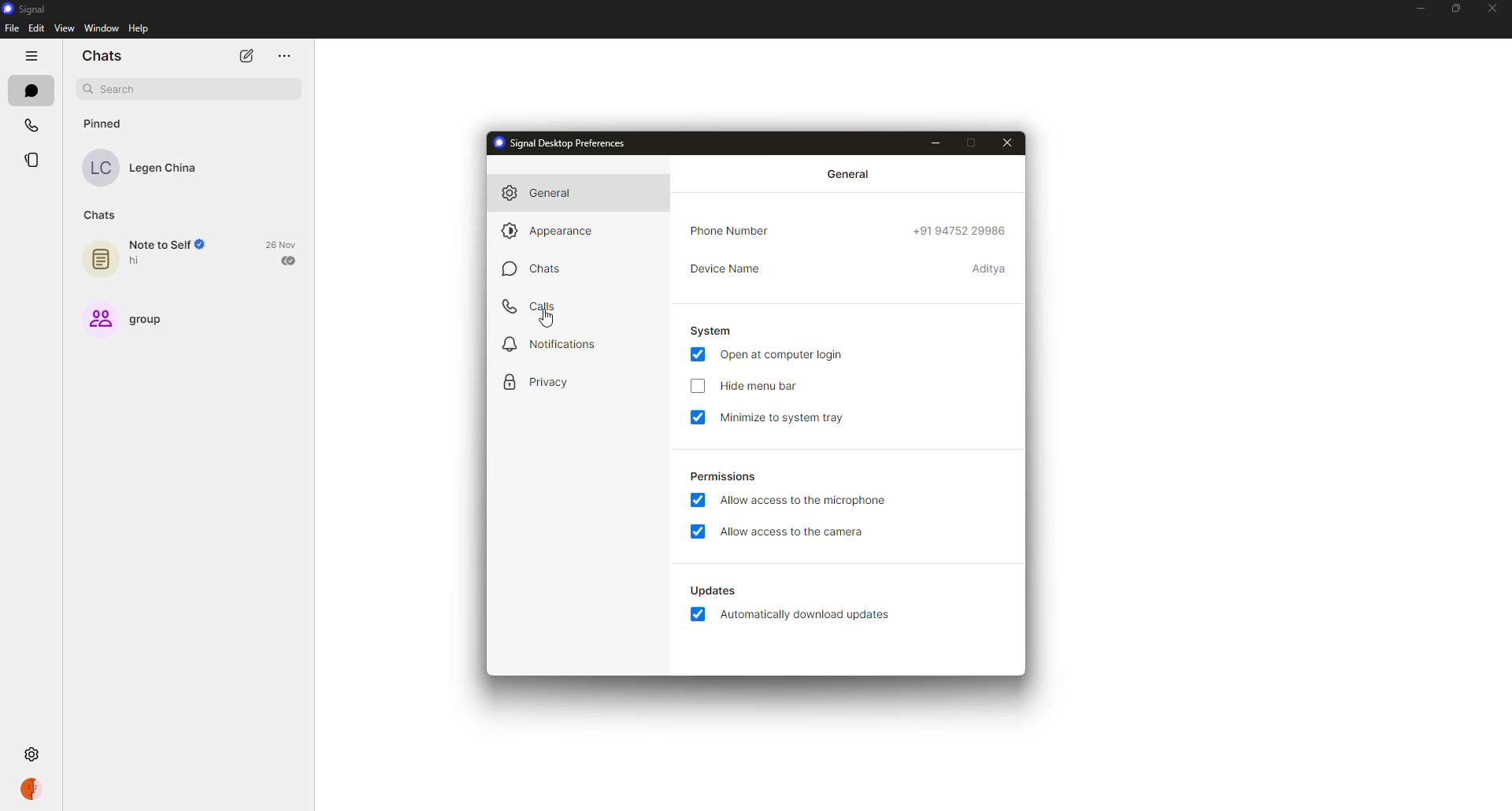  Describe the element at coordinates (1009, 143) in the screenshot. I see `close` at that location.